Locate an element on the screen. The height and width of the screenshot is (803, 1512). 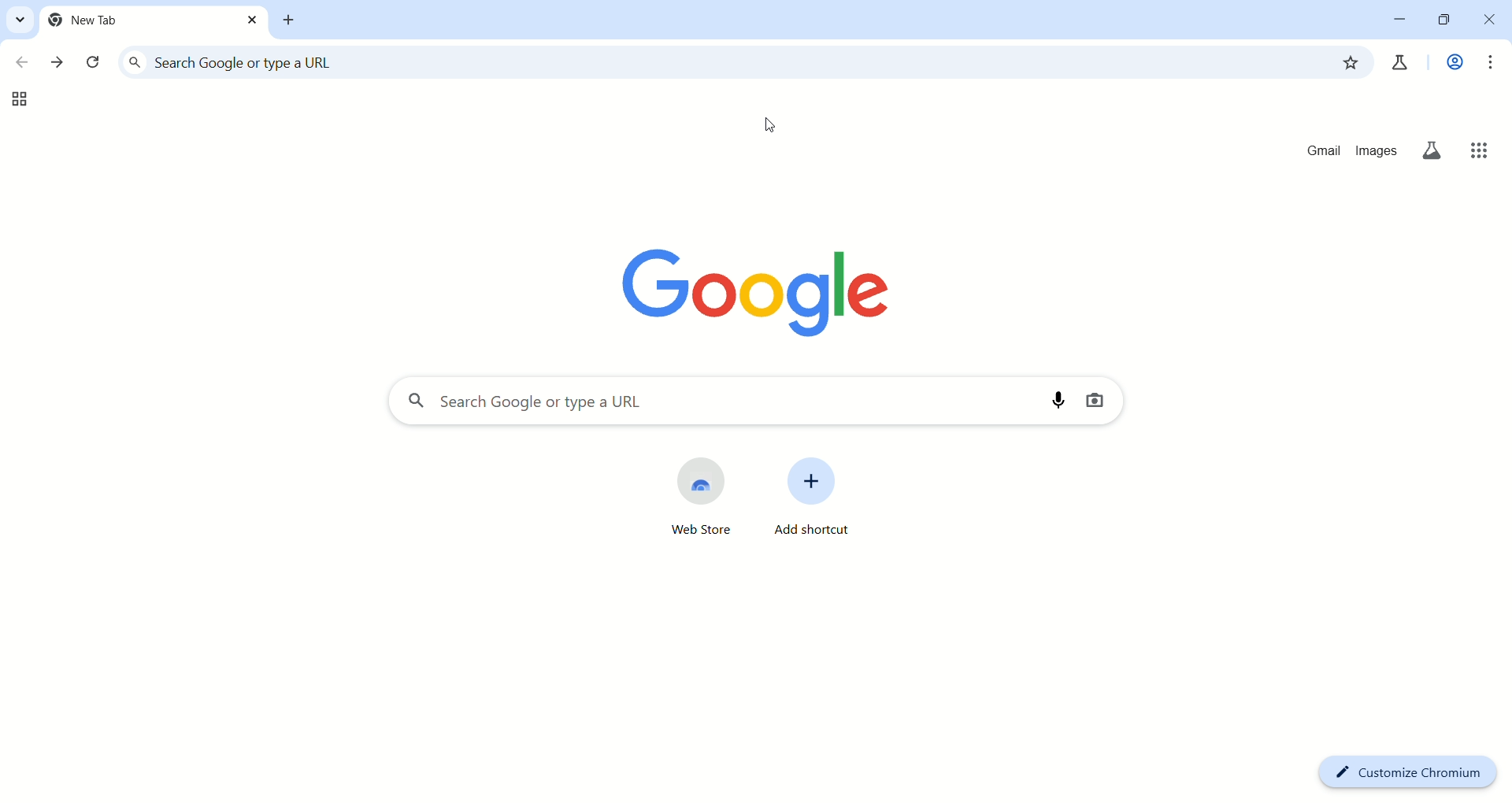
add shortcut is located at coordinates (814, 498).